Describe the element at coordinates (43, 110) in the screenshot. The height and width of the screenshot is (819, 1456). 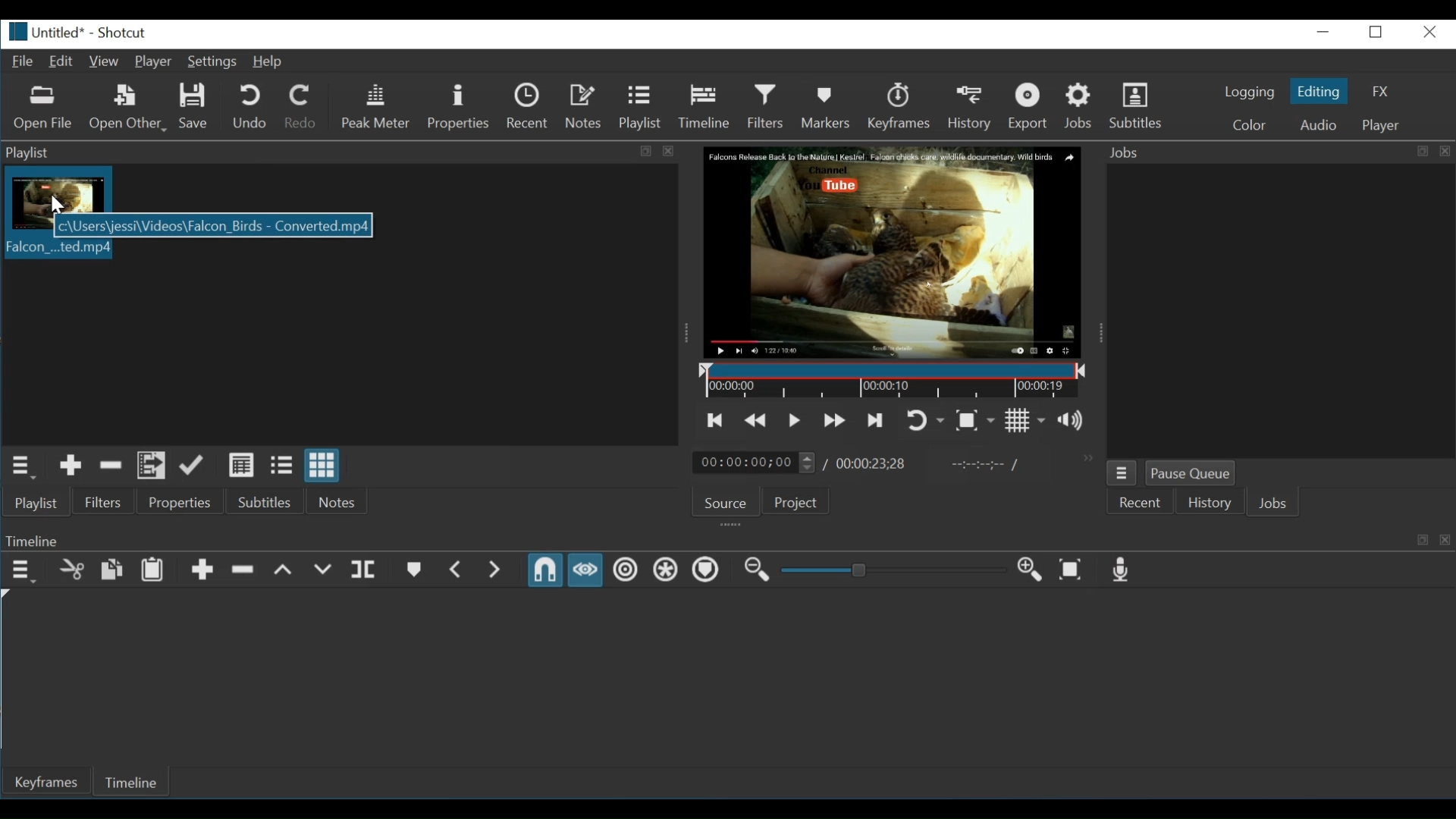
I see `Open File` at that location.